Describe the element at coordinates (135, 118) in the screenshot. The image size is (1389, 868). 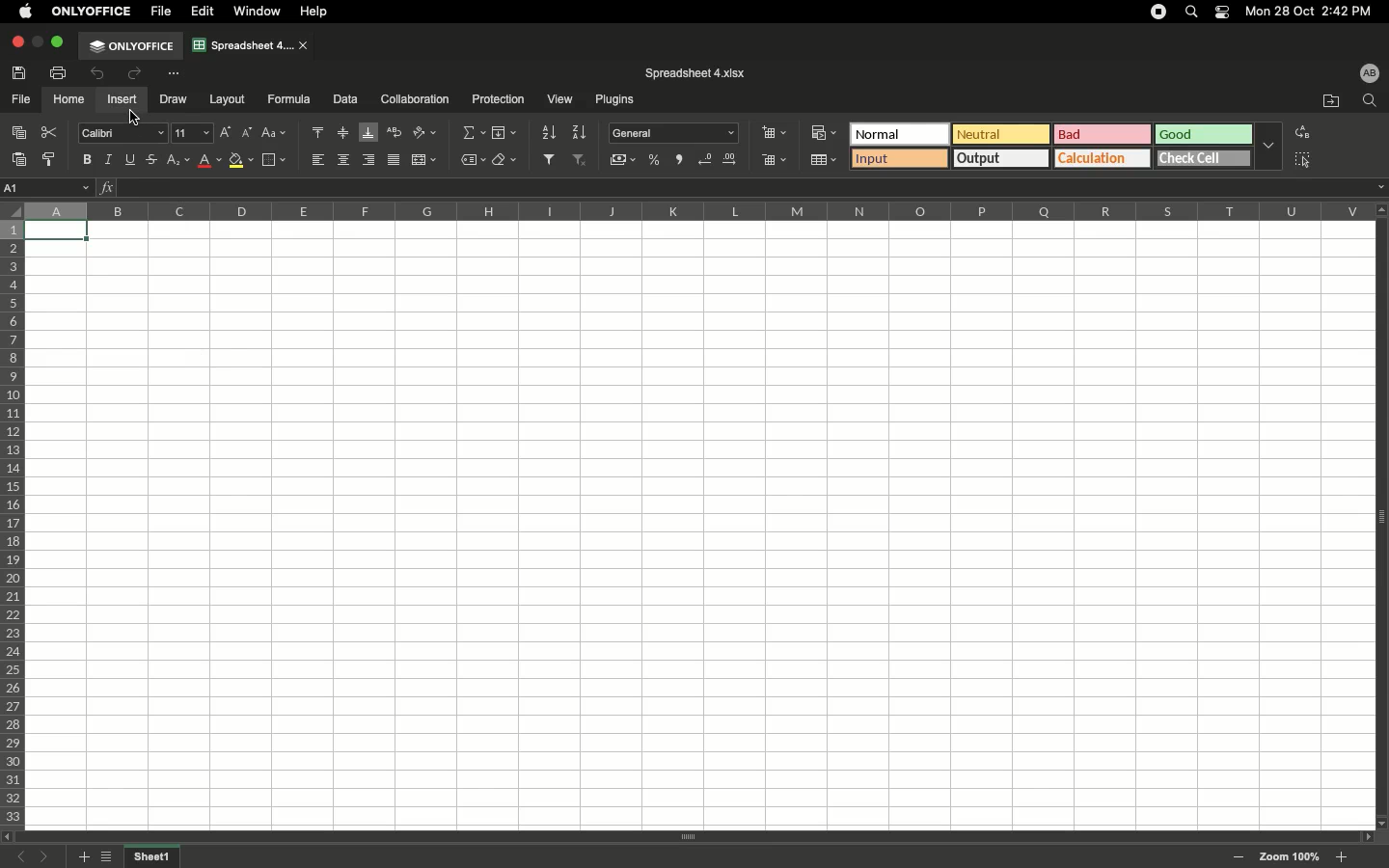
I see `cursor` at that location.